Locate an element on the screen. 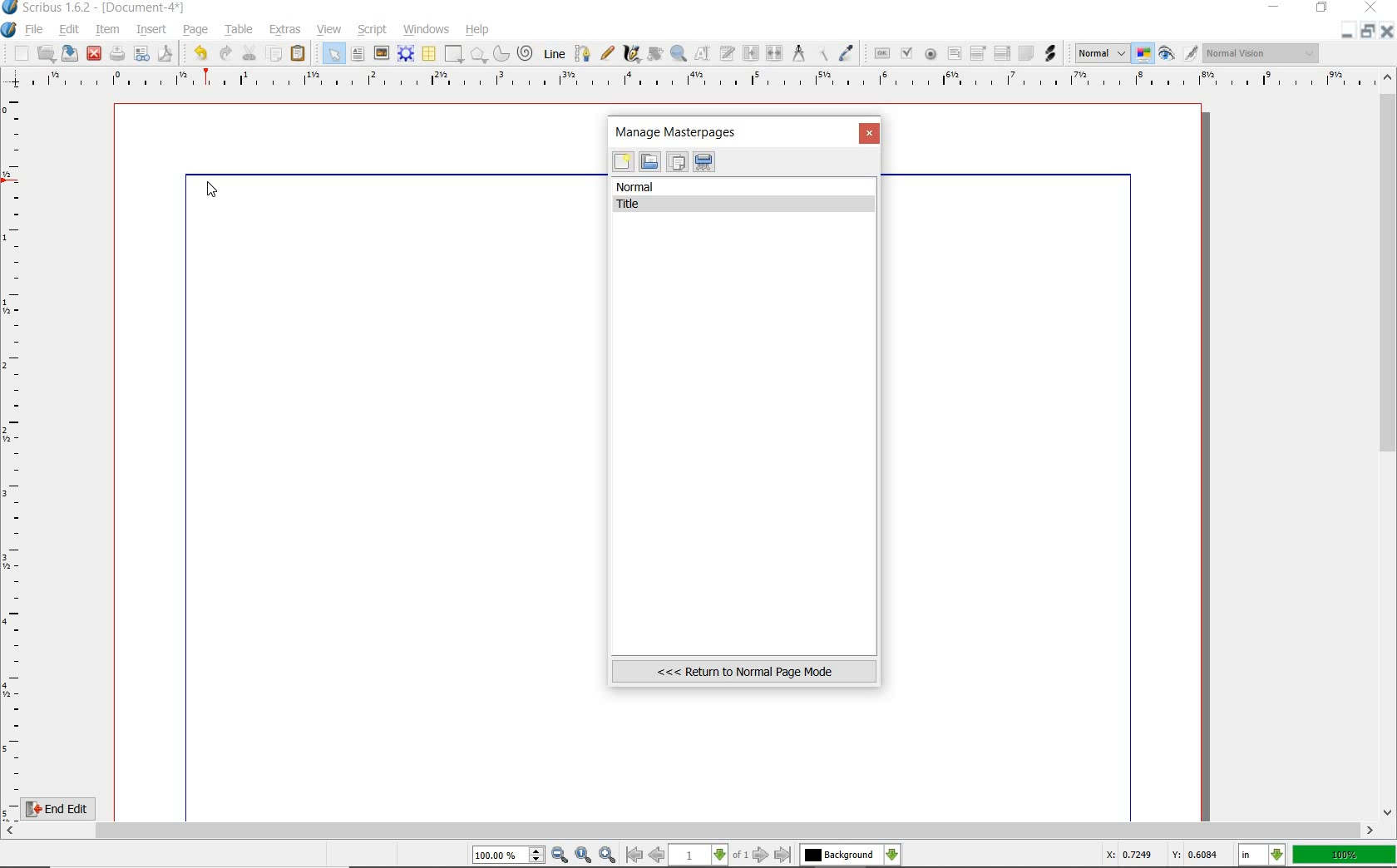 The height and width of the screenshot is (868, 1397). preview mode is located at coordinates (1179, 53).